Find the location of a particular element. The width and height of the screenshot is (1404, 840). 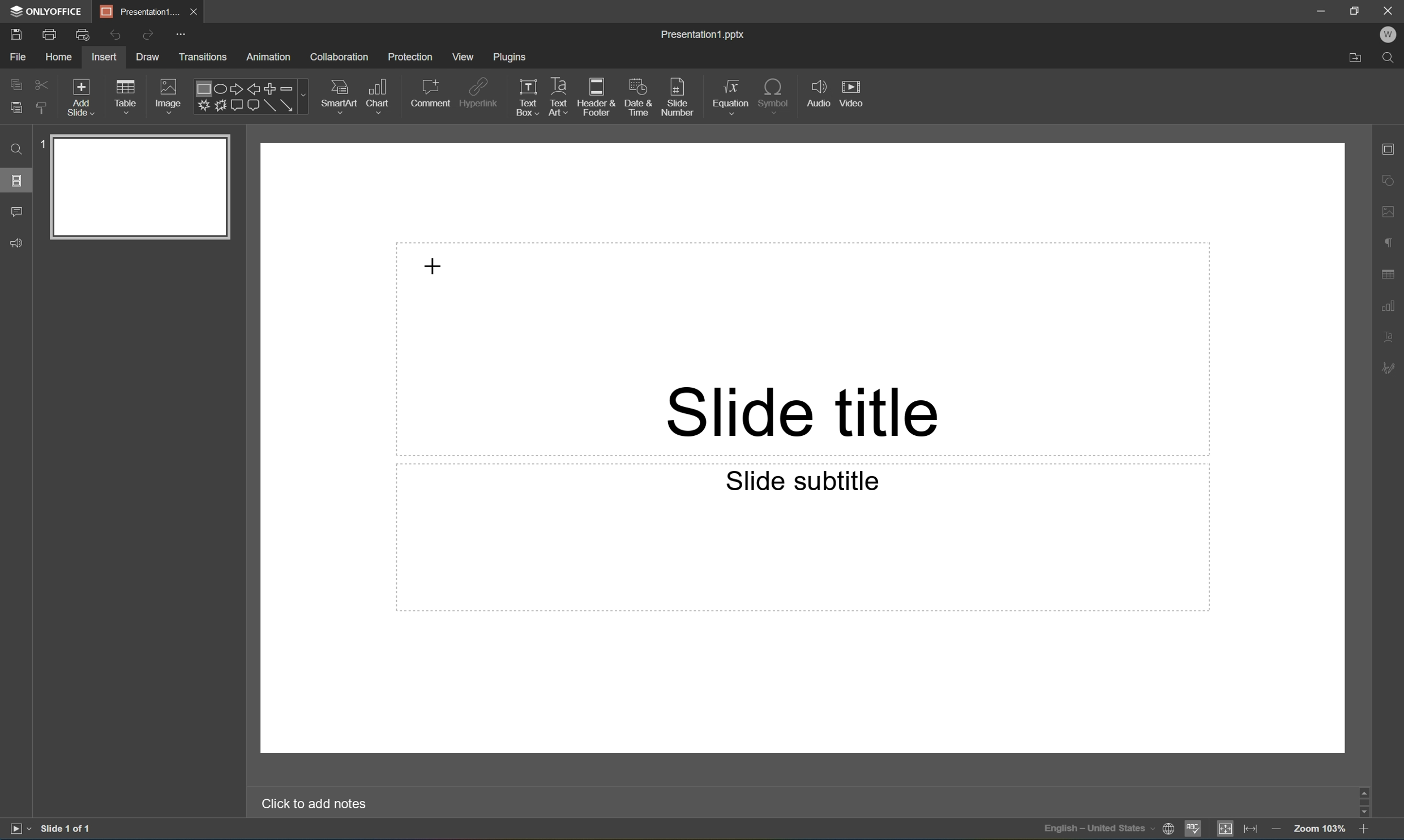

Slide title is located at coordinates (803, 413).